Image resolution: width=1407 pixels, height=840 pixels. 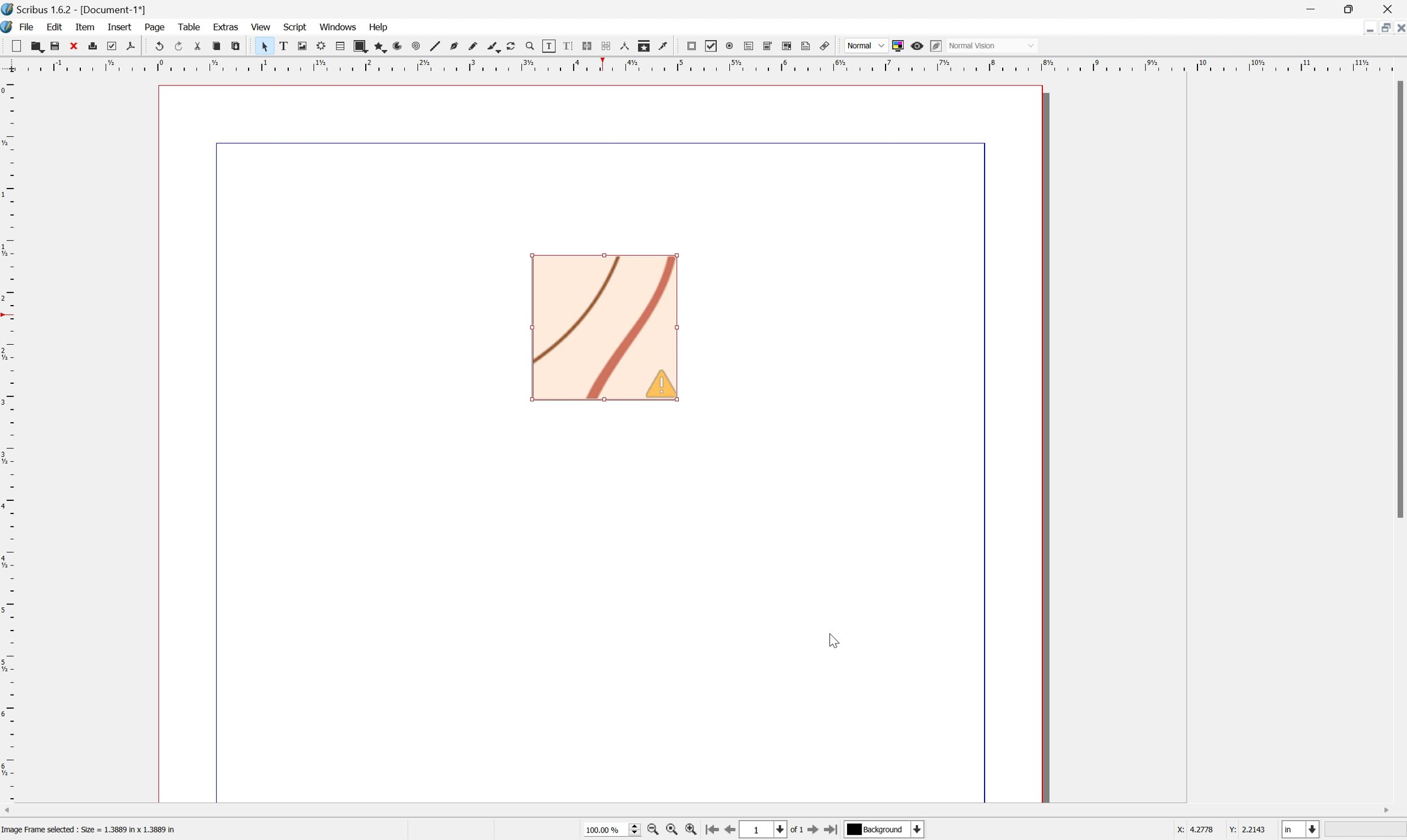 What do you see at coordinates (827, 44) in the screenshot?
I see `Link annotation` at bounding box center [827, 44].